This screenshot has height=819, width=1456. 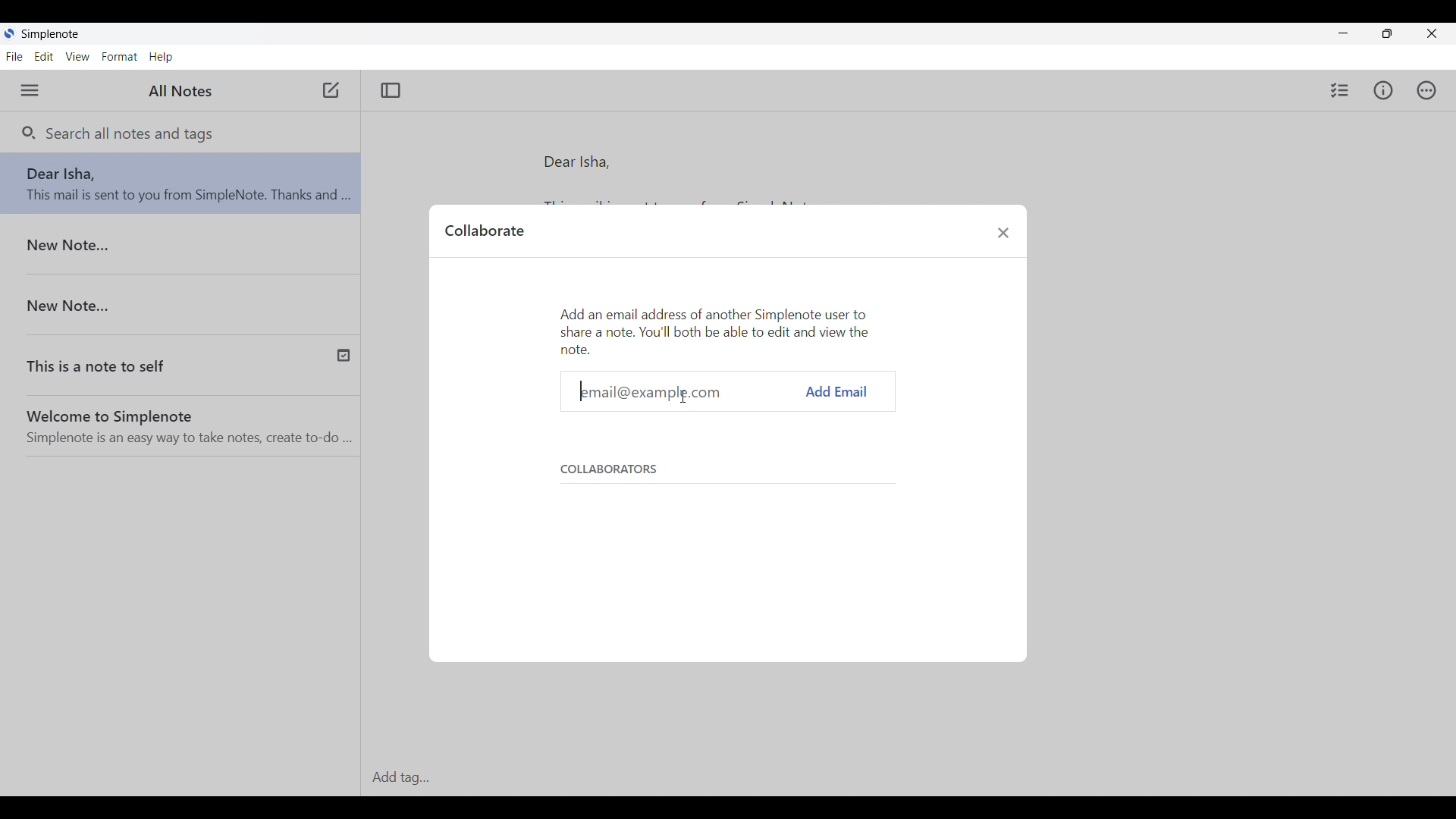 What do you see at coordinates (1426, 90) in the screenshot?
I see `Actions` at bounding box center [1426, 90].